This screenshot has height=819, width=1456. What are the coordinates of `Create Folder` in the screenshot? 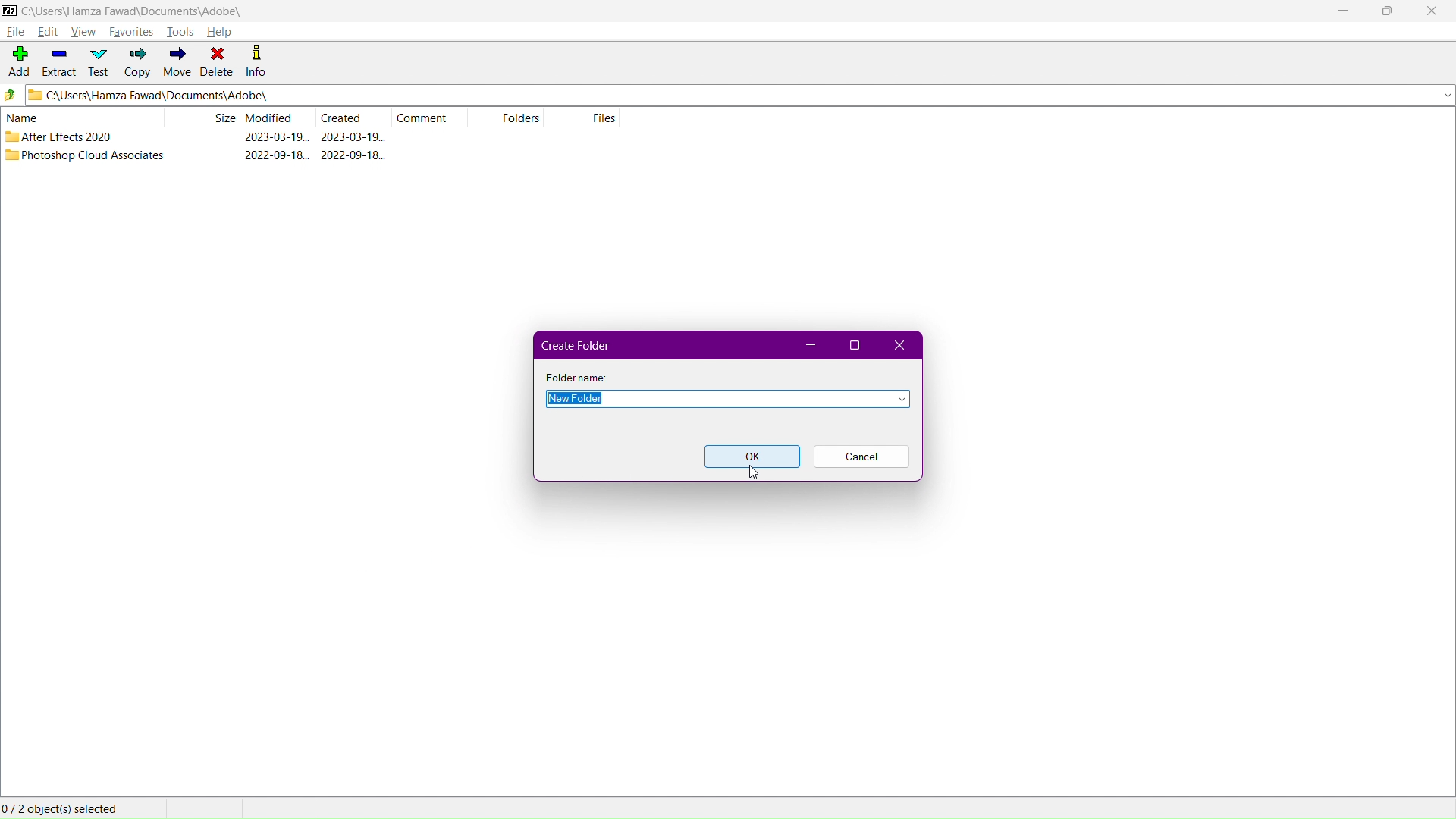 It's located at (577, 344).